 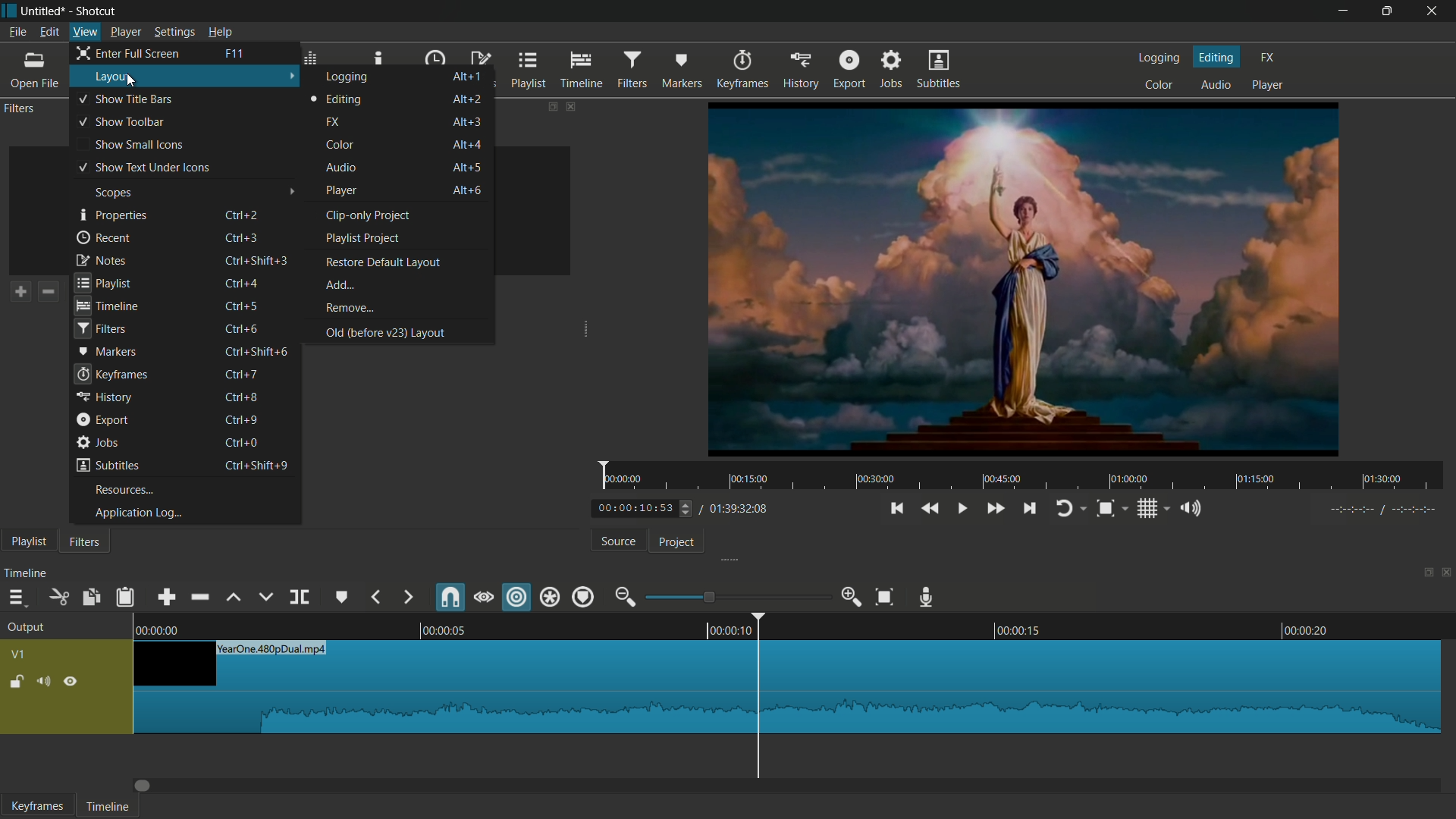 What do you see at coordinates (1065, 508) in the screenshot?
I see `toggle player looping` at bounding box center [1065, 508].